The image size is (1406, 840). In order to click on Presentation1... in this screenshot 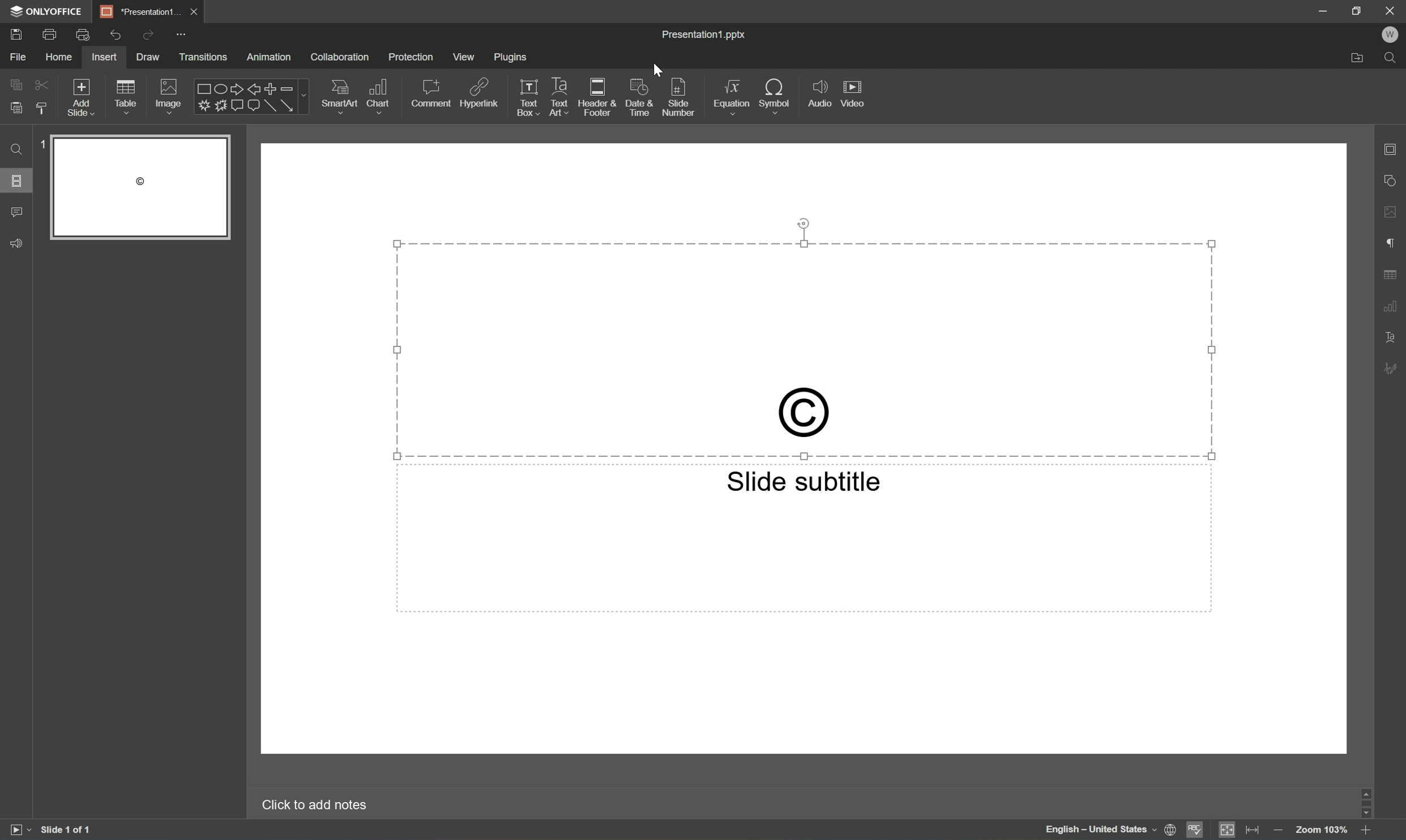, I will do `click(137, 11)`.